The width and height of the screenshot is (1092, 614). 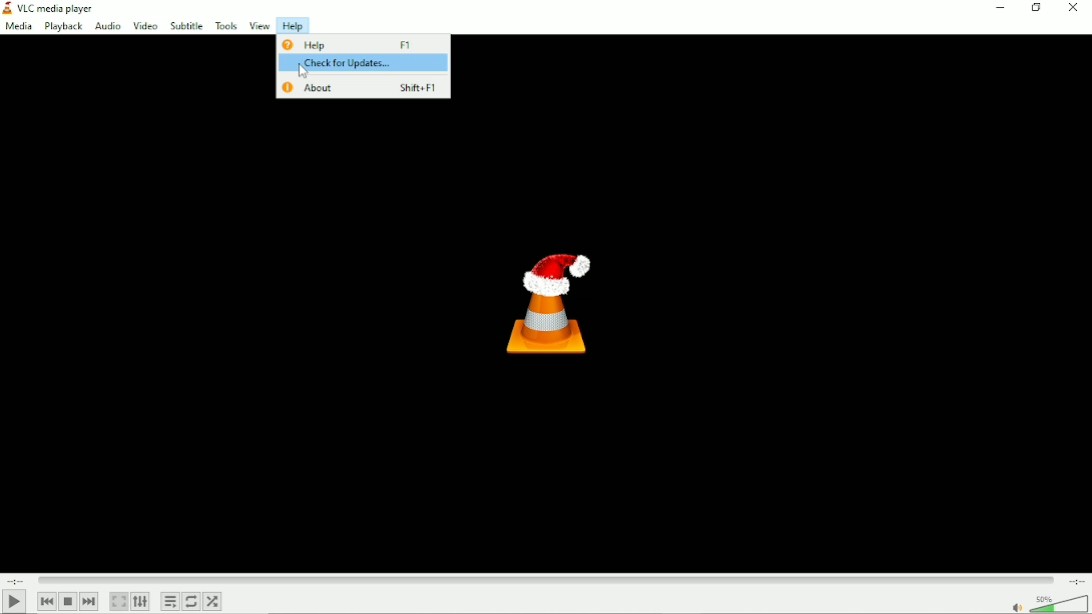 I want to click on Play, so click(x=15, y=602).